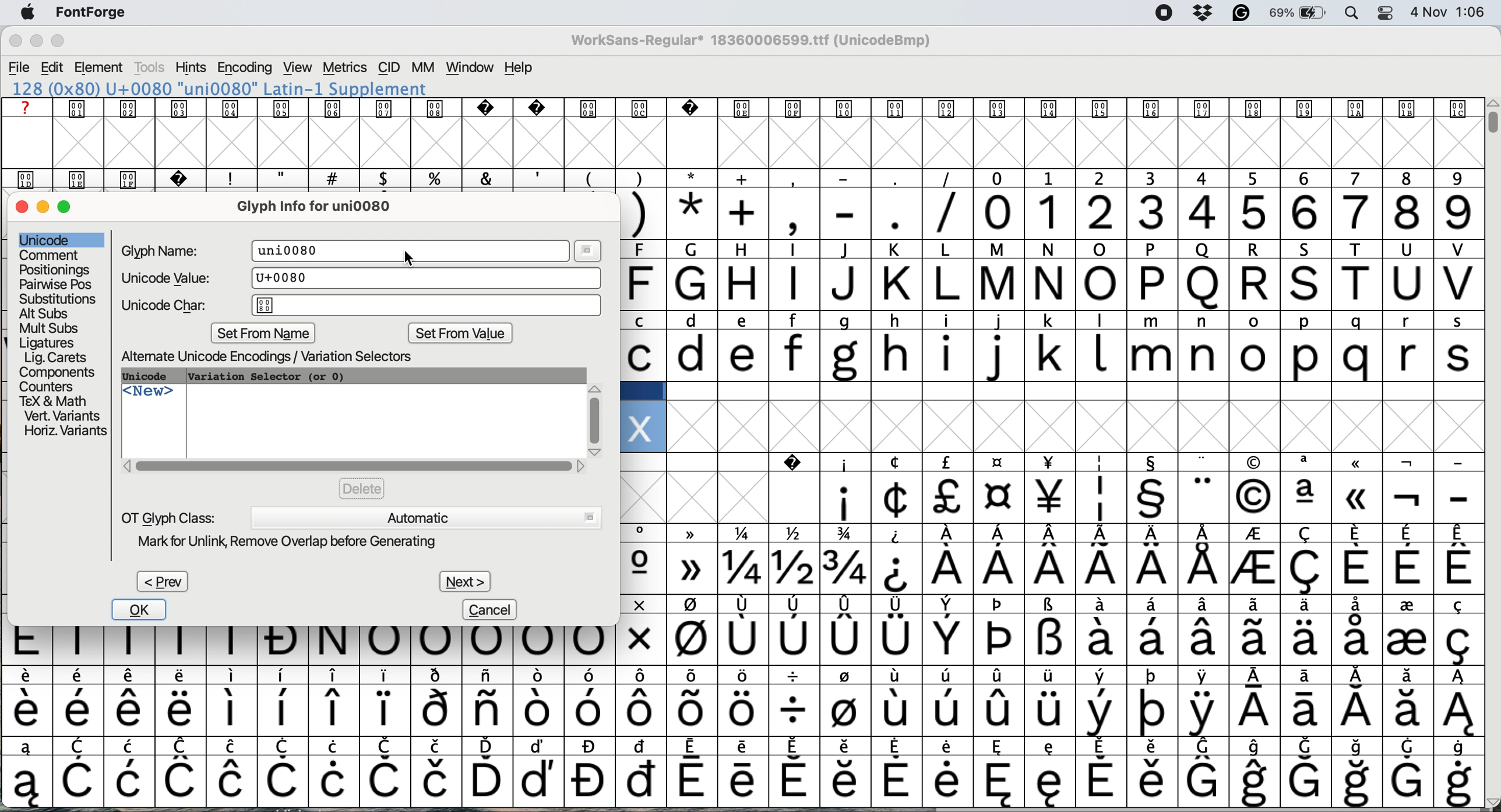 The image size is (1501, 812). What do you see at coordinates (1298, 13) in the screenshot?
I see `battery` at bounding box center [1298, 13].